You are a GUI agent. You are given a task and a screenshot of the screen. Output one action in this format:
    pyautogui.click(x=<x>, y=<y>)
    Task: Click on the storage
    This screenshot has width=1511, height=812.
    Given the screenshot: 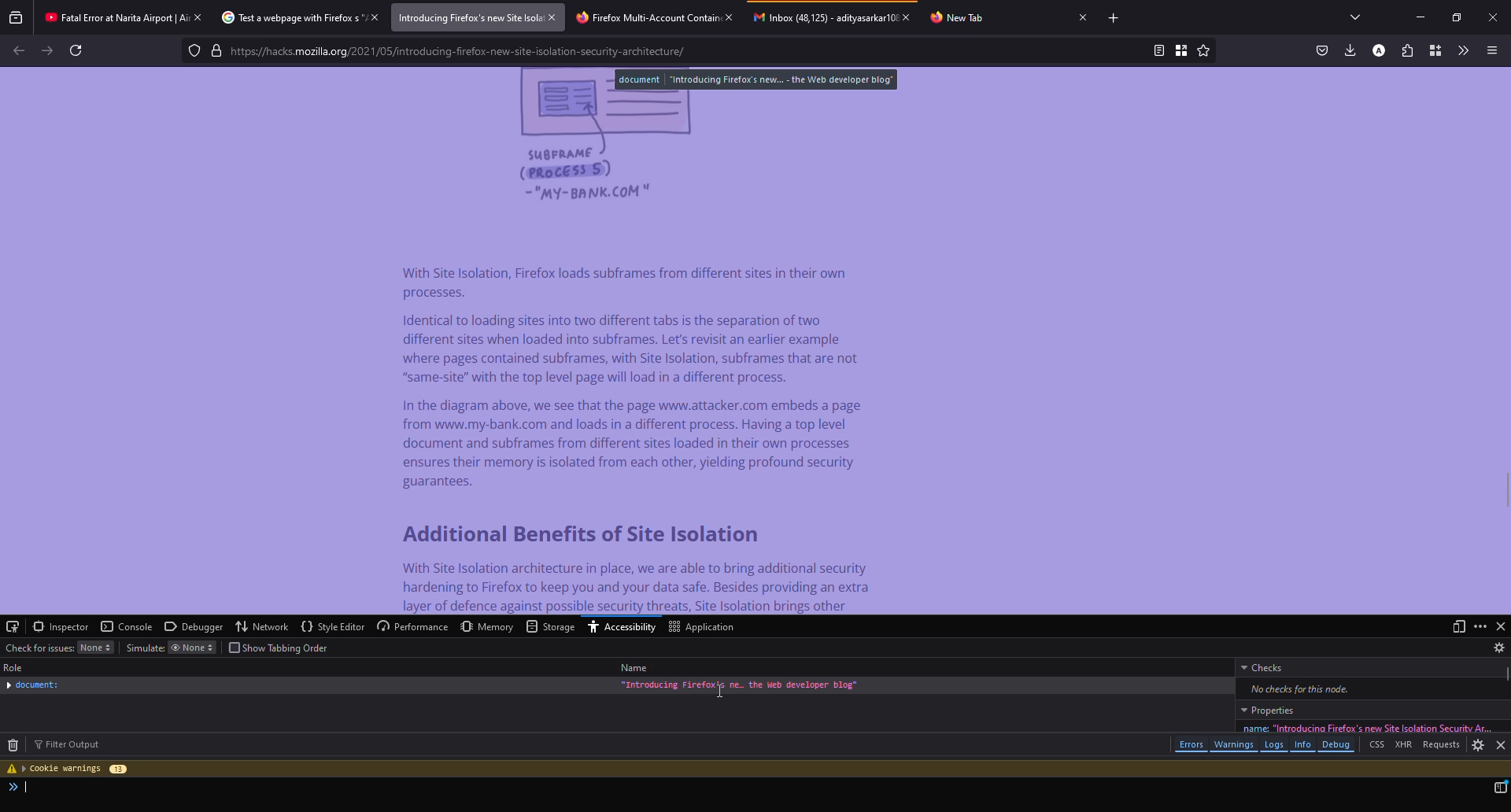 What is the action you would take?
    pyautogui.click(x=552, y=627)
    